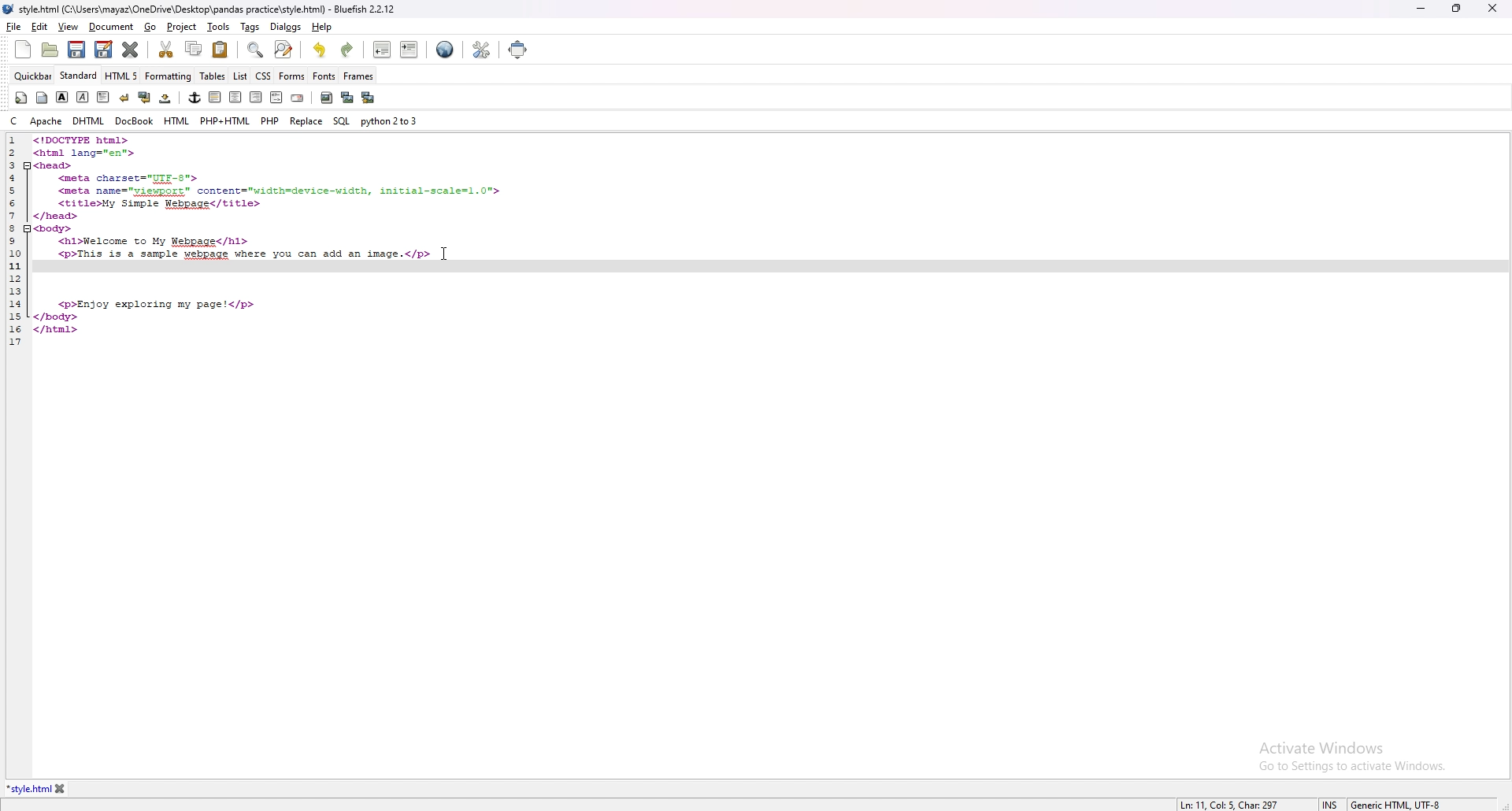  Describe the element at coordinates (57, 217) in the screenshot. I see `</head>` at that location.